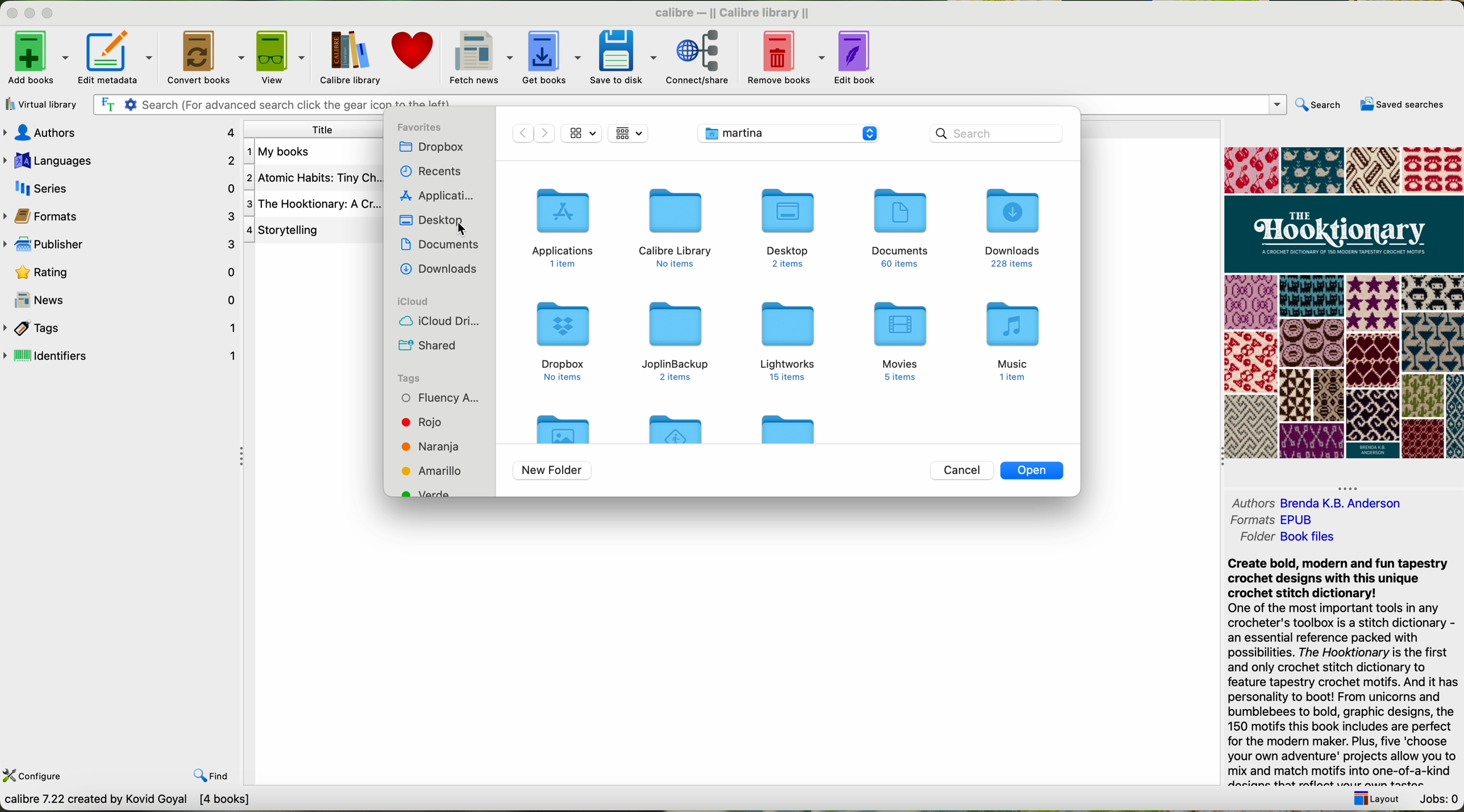 The image size is (1464, 812). What do you see at coordinates (1371, 503) in the screenshot?
I see `Brenda K.B Anderson` at bounding box center [1371, 503].